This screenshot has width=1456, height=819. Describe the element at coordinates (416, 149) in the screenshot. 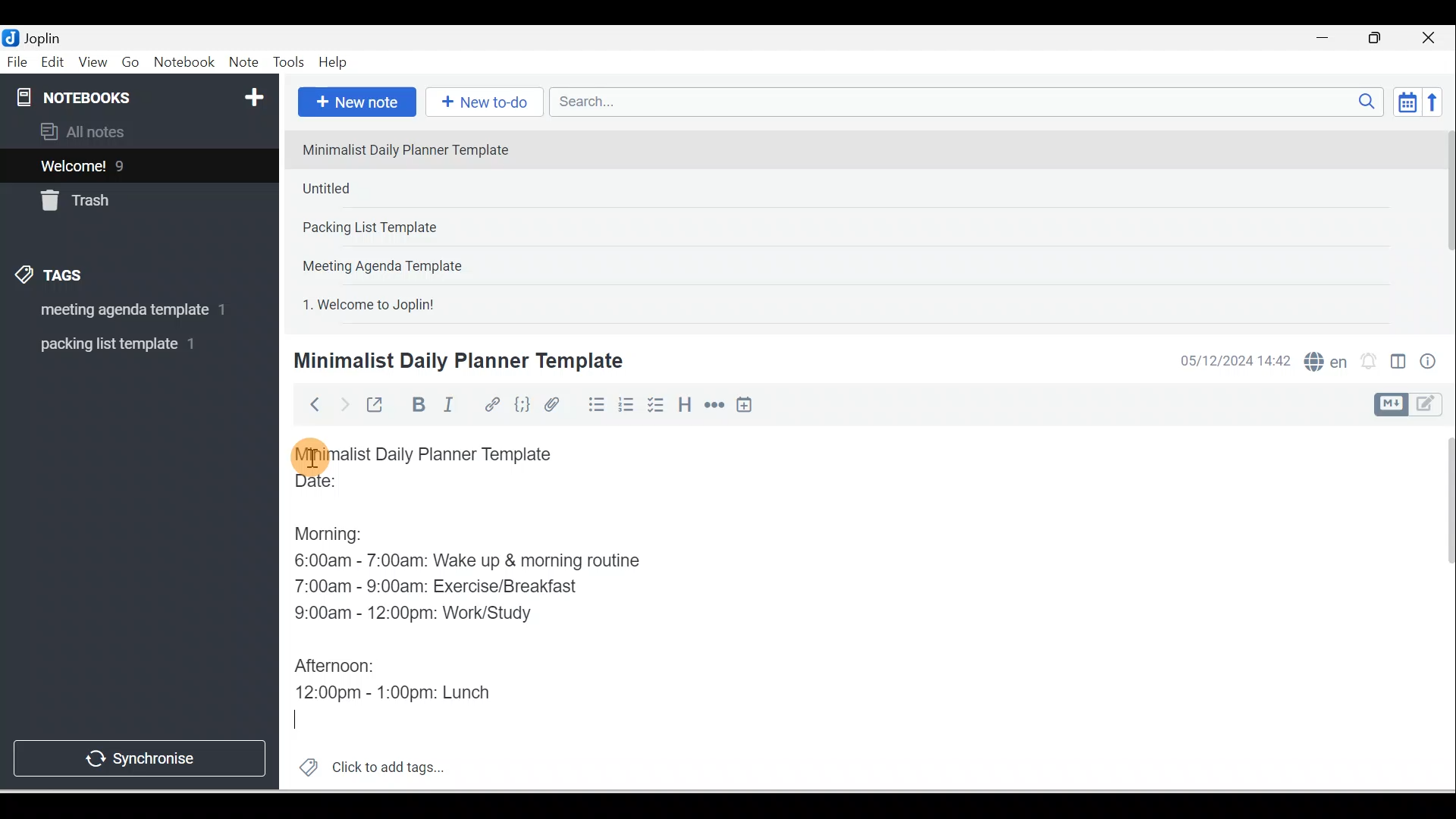

I see `Note 1` at that location.